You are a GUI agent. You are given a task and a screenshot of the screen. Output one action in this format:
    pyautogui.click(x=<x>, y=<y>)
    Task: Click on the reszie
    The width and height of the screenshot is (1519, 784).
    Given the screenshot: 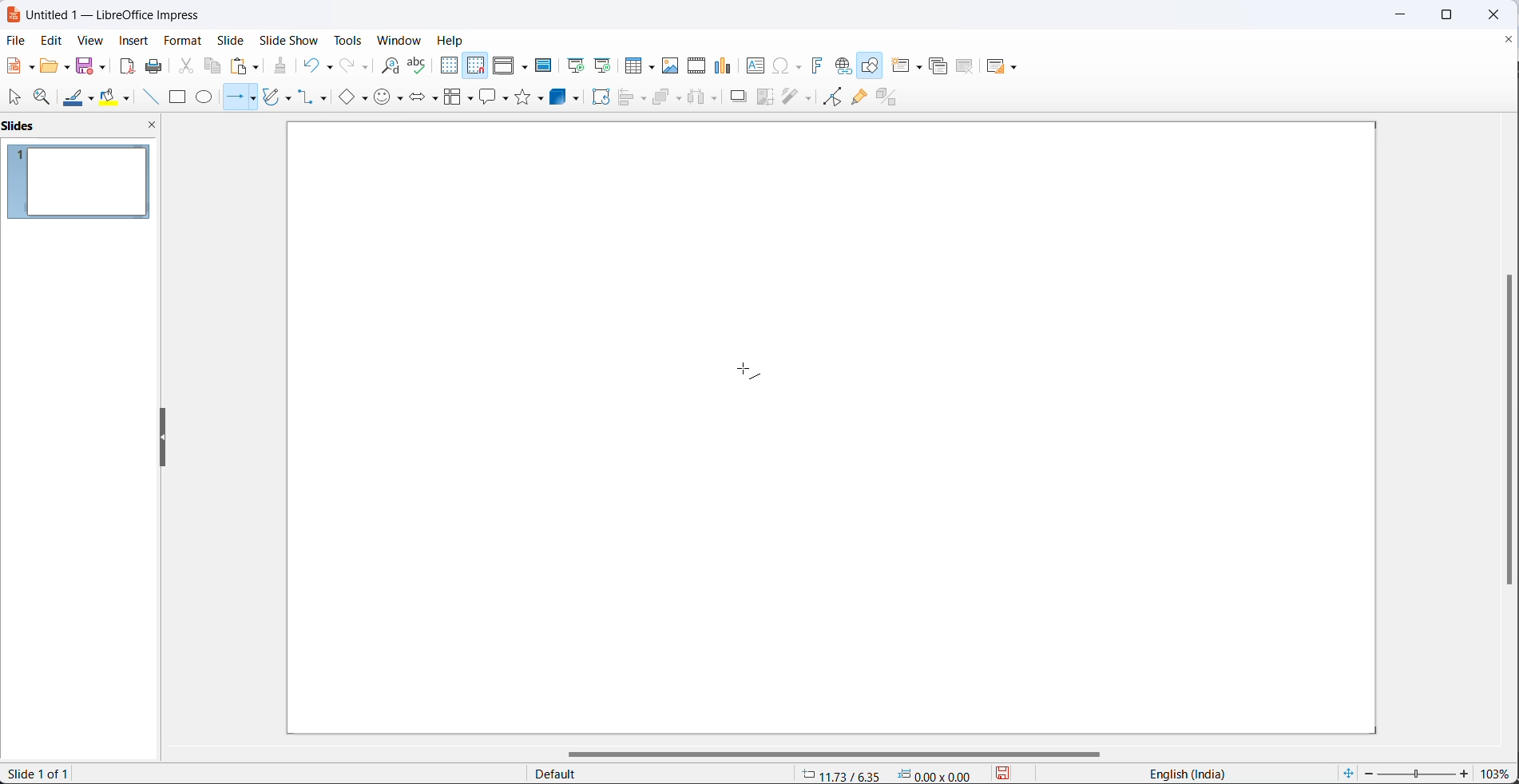 What is the action you would take?
    pyautogui.click(x=160, y=438)
    